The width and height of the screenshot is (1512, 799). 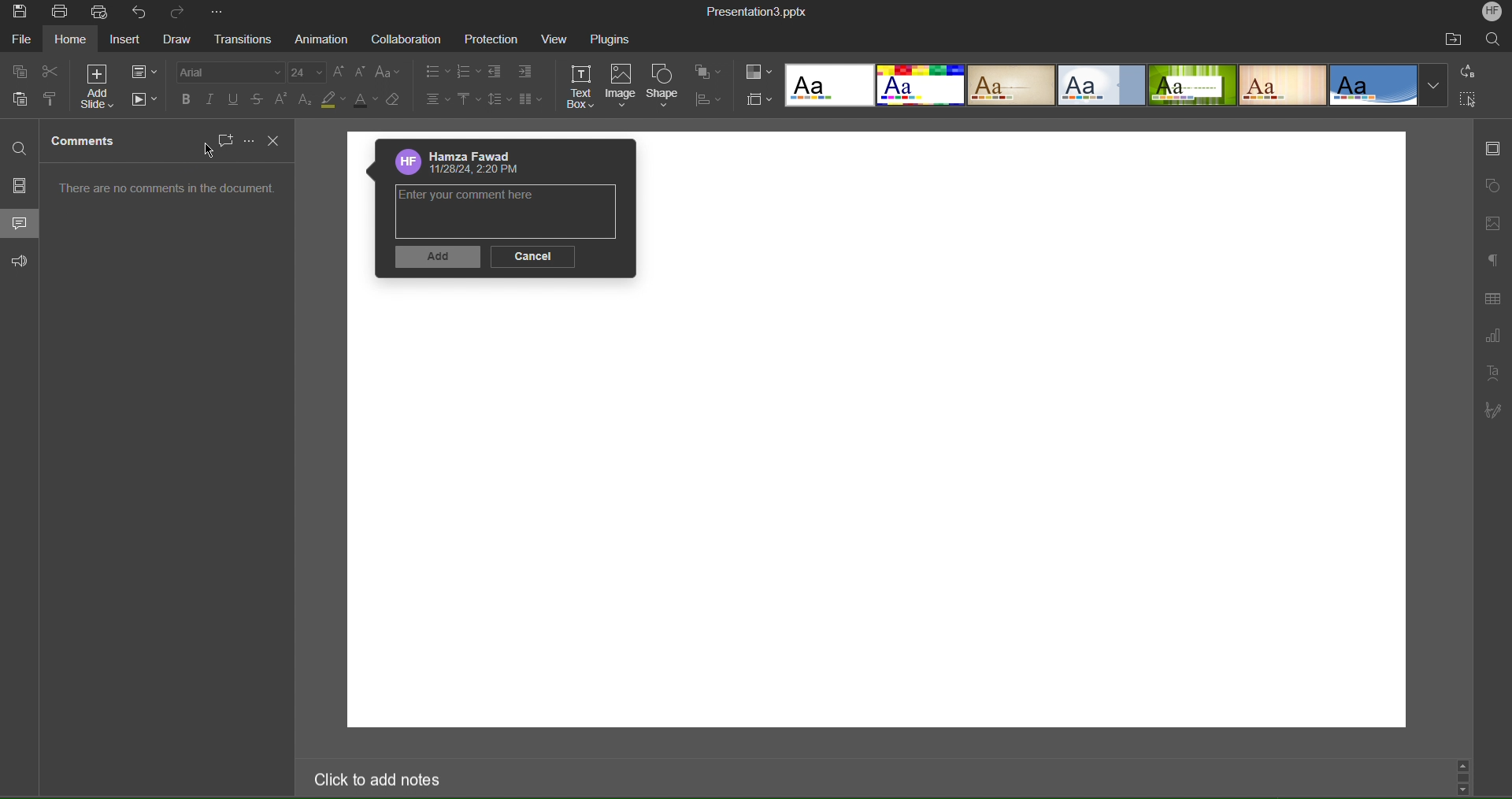 What do you see at coordinates (140, 12) in the screenshot?
I see `Undo` at bounding box center [140, 12].